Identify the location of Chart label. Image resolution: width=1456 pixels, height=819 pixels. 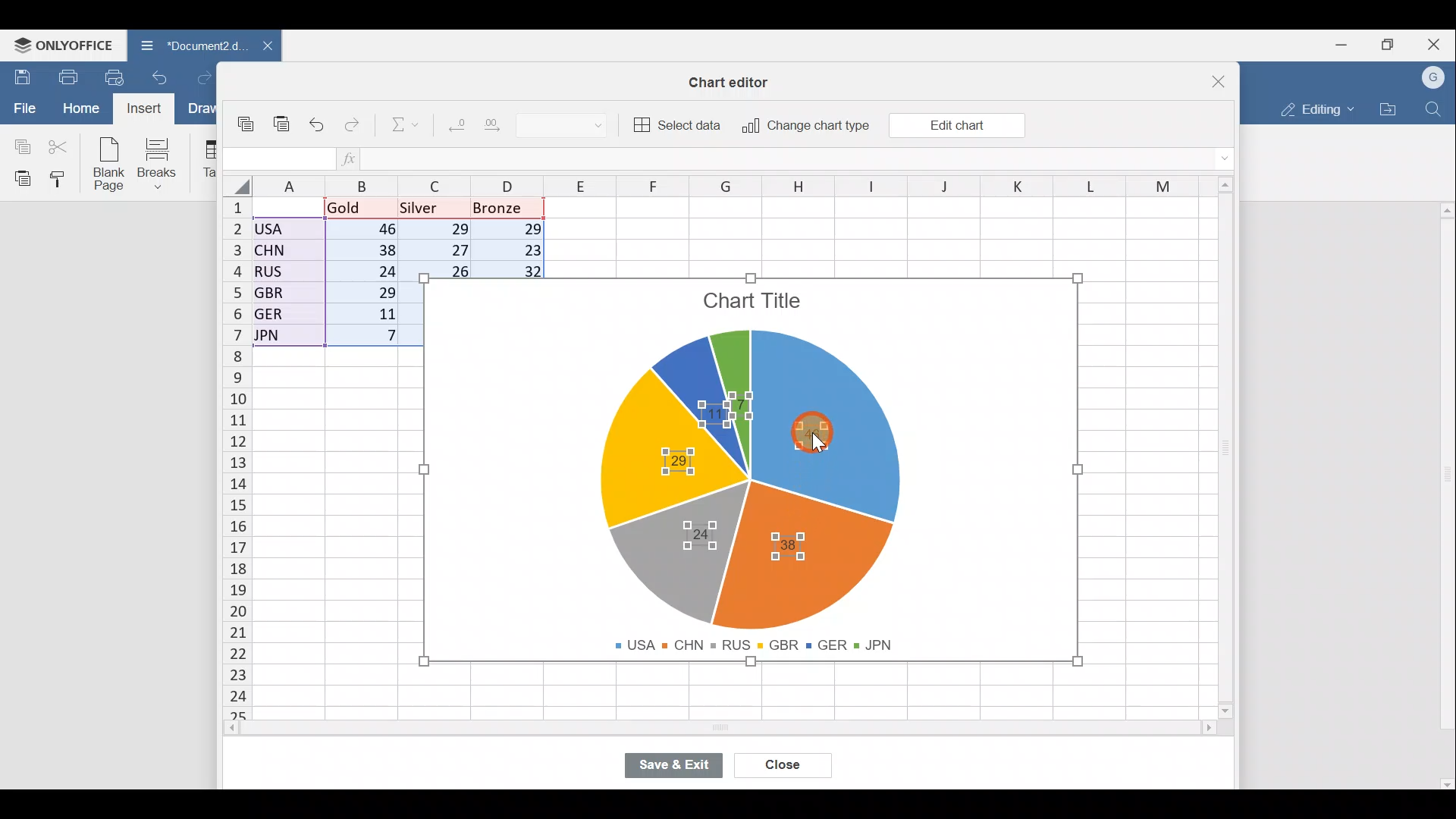
(699, 532).